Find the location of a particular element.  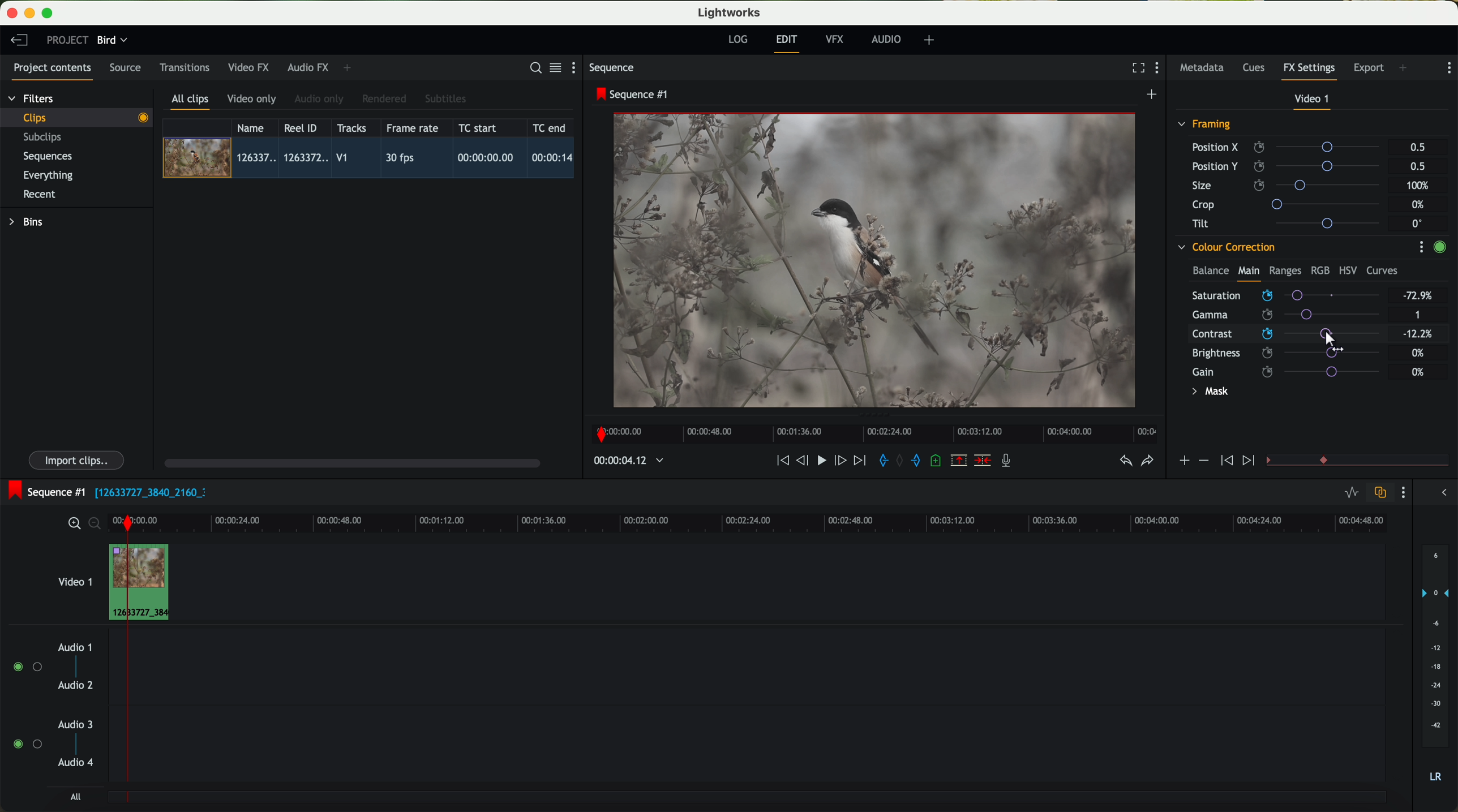

audio is located at coordinates (886, 39).